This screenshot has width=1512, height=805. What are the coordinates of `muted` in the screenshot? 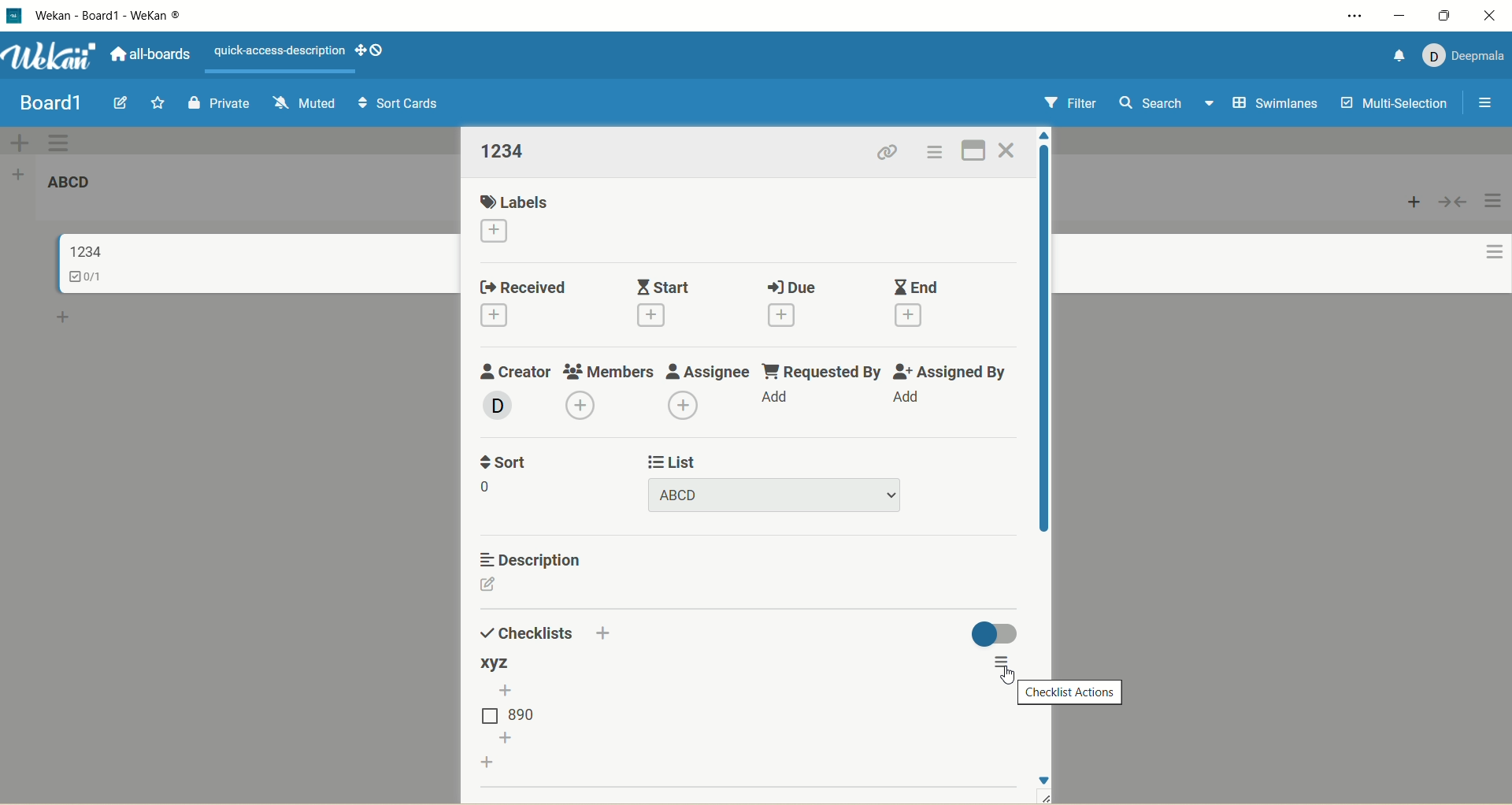 It's located at (303, 104).